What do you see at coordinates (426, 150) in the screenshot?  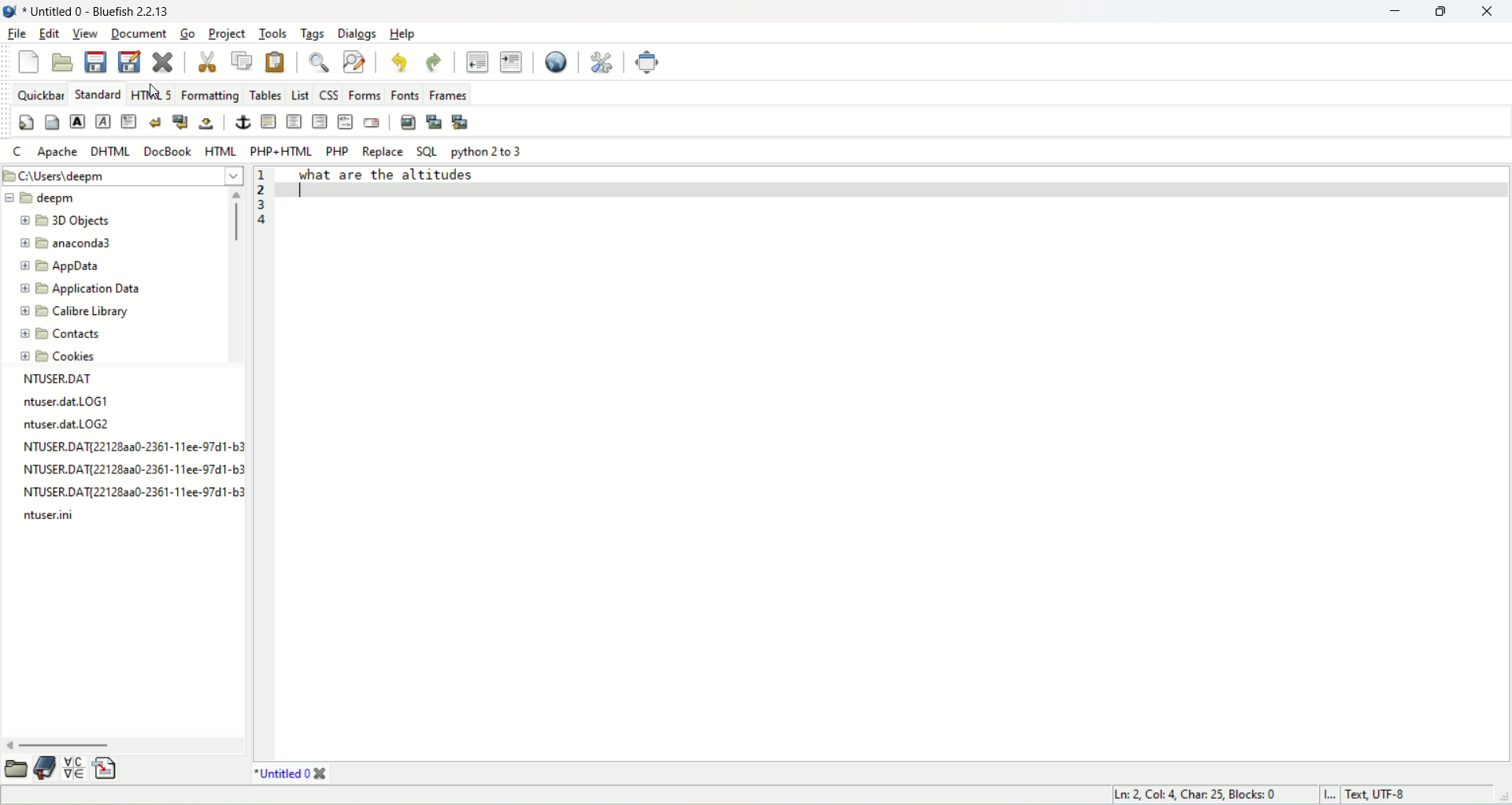 I see `SQL` at bounding box center [426, 150].